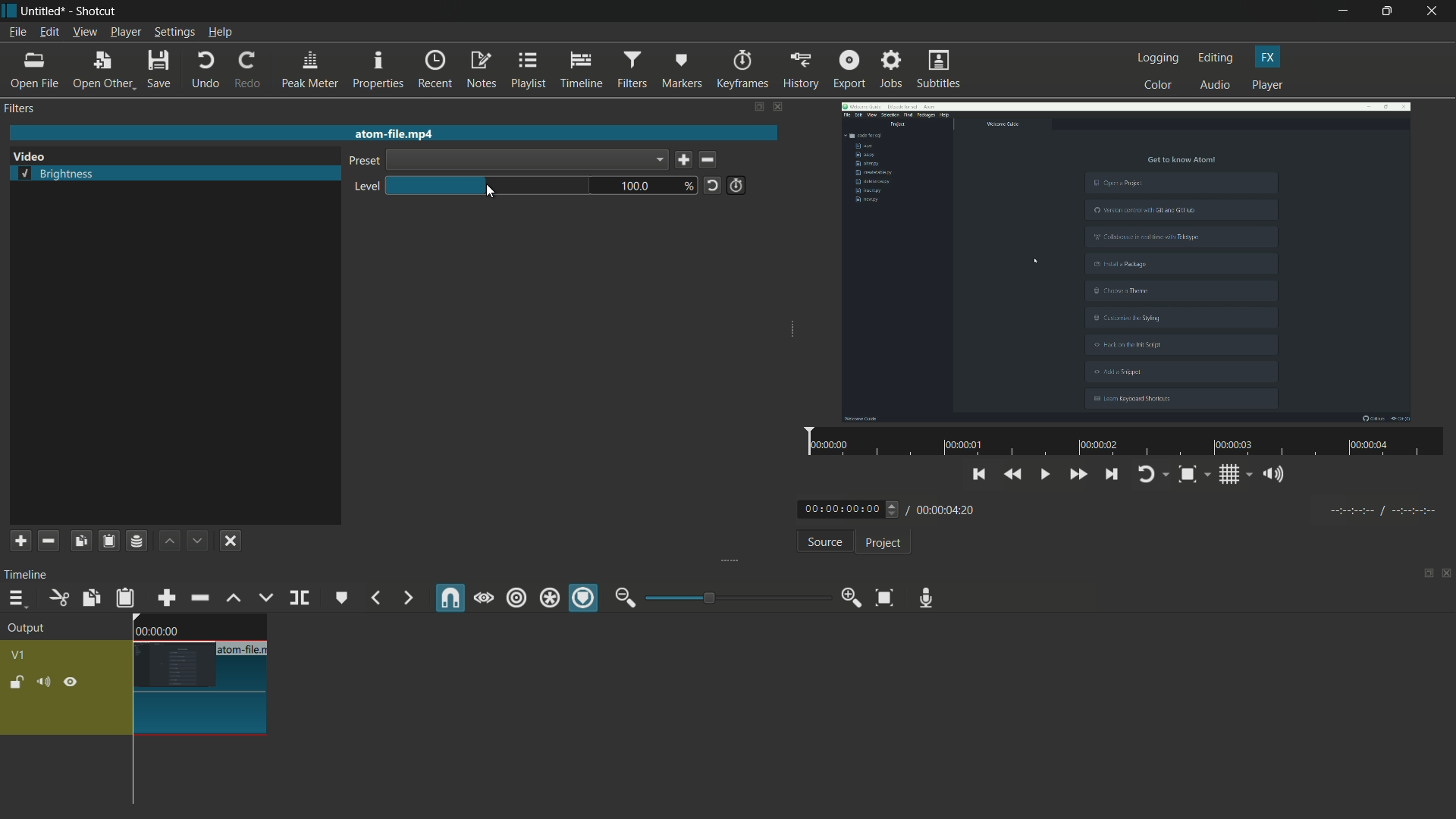 The width and height of the screenshot is (1456, 819). What do you see at coordinates (850, 508) in the screenshot?
I see `00:00:00:00 (current time)` at bounding box center [850, 508].